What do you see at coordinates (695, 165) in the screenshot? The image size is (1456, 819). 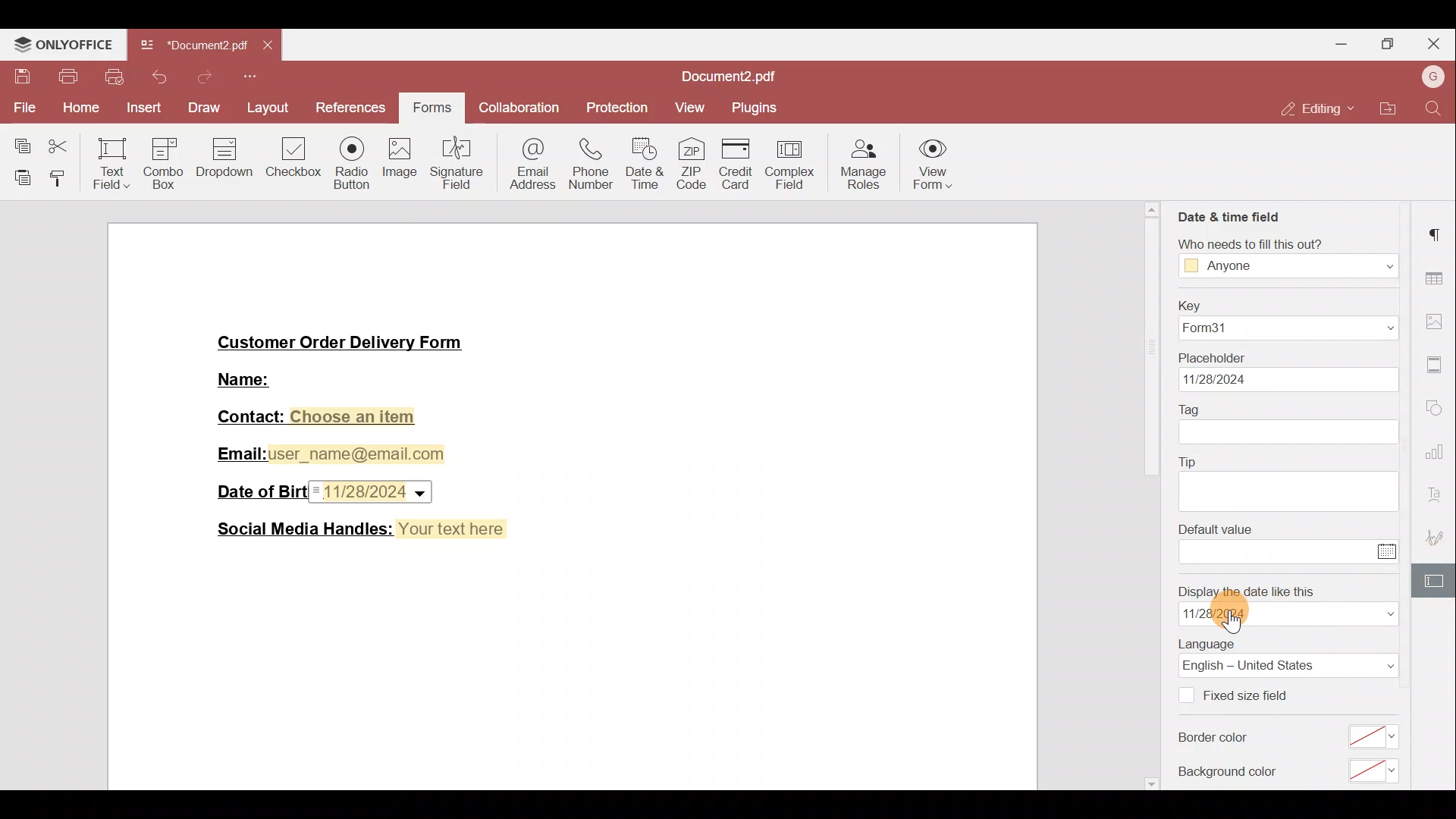 I see `ZIP code` at bounding box center [695, 165].